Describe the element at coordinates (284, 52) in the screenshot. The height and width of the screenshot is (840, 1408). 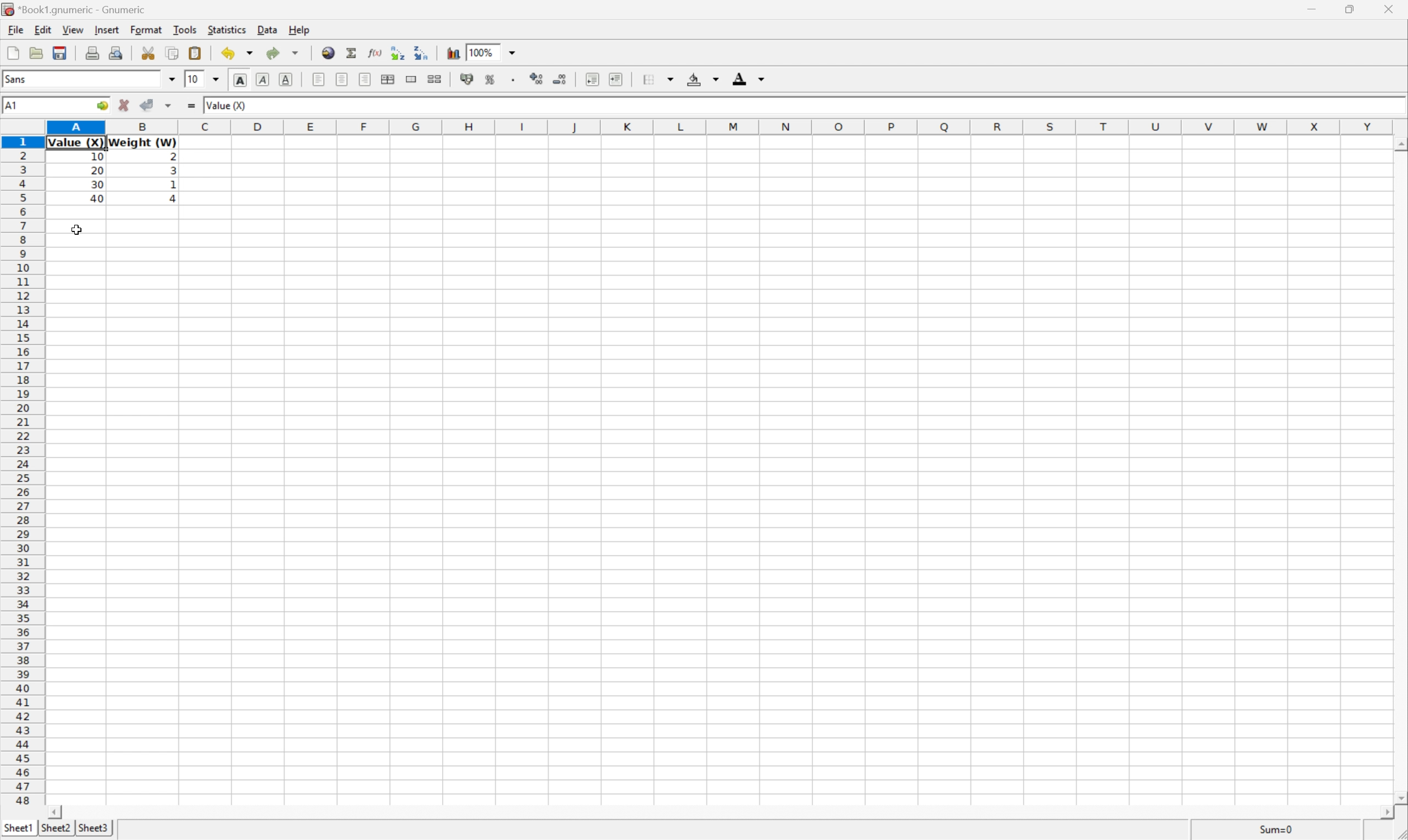
I see `Redo` at that location.